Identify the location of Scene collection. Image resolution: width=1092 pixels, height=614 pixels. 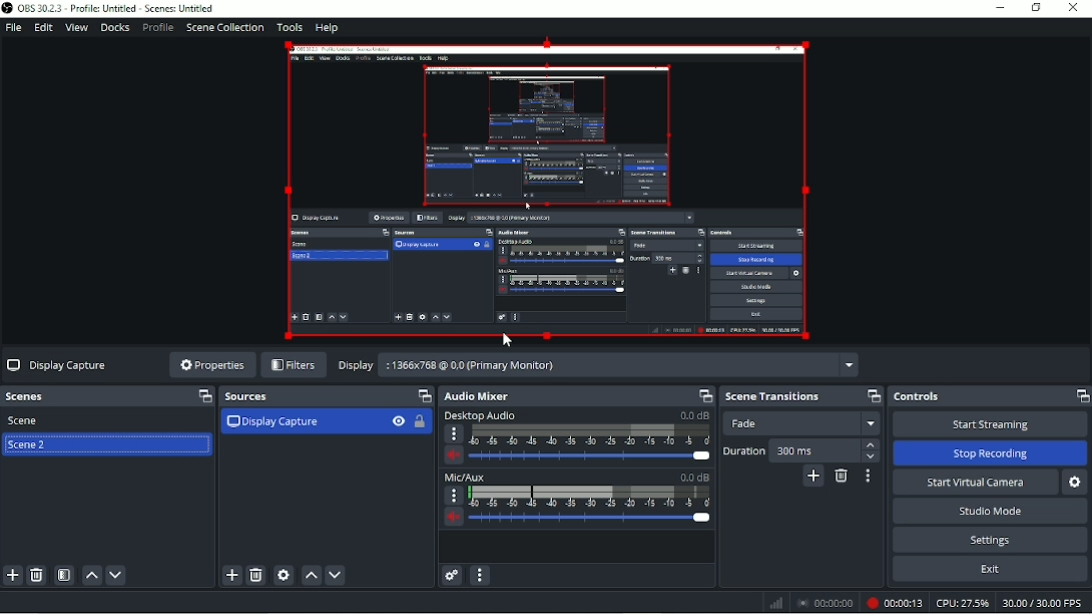
(226, 27).